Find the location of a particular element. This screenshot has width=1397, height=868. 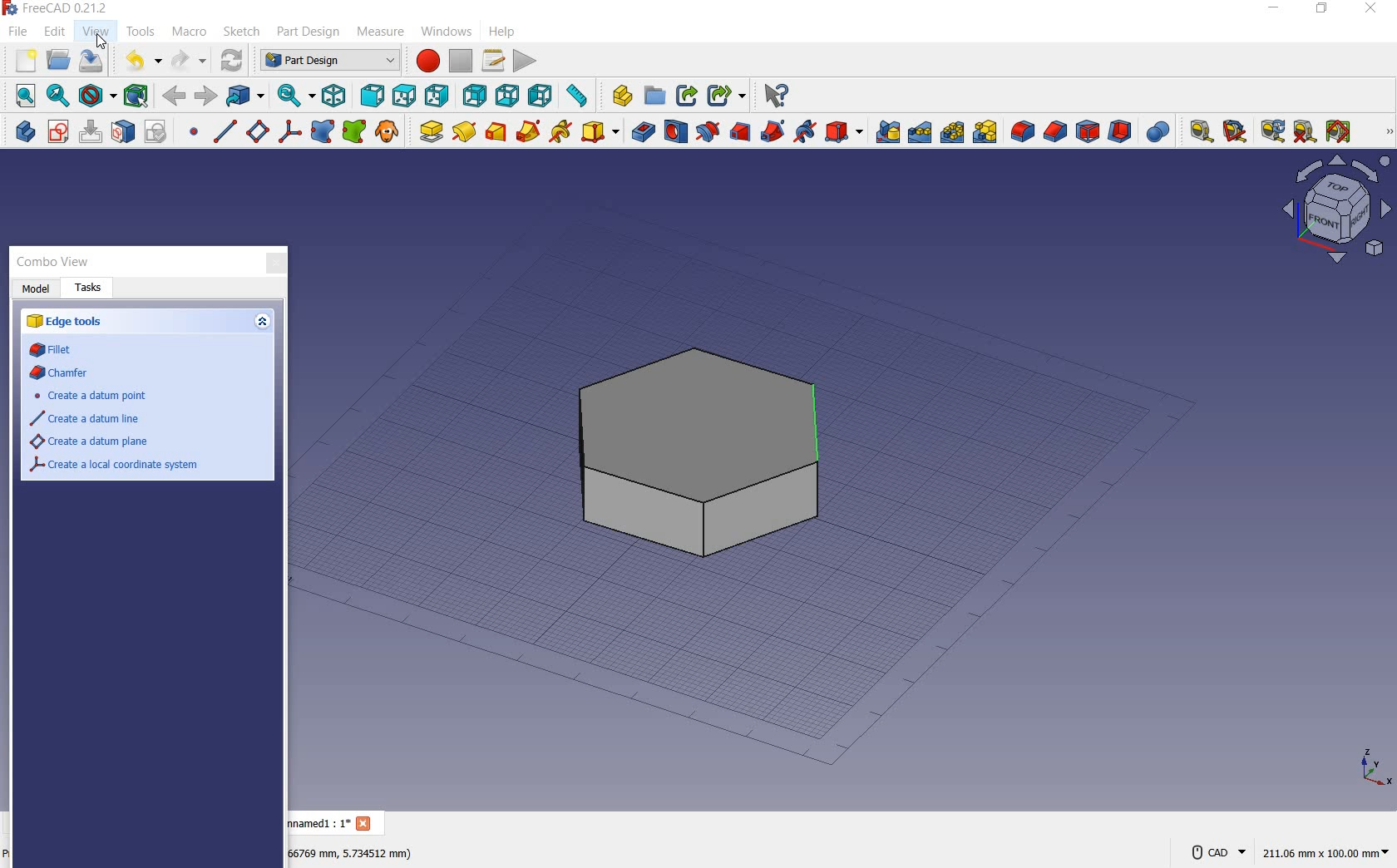

measure linear is located at coordinates (1197, 133).